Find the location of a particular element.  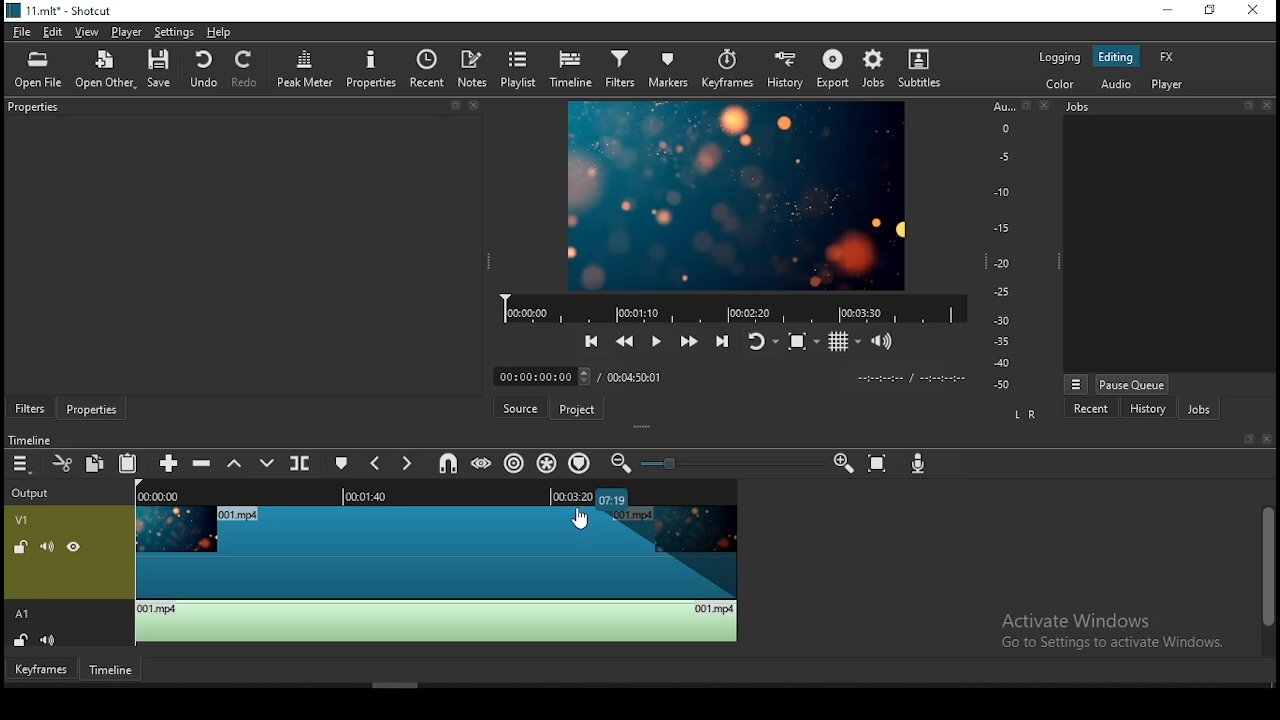

11.mlt* -shotcut is located at coordinates (63, 12).